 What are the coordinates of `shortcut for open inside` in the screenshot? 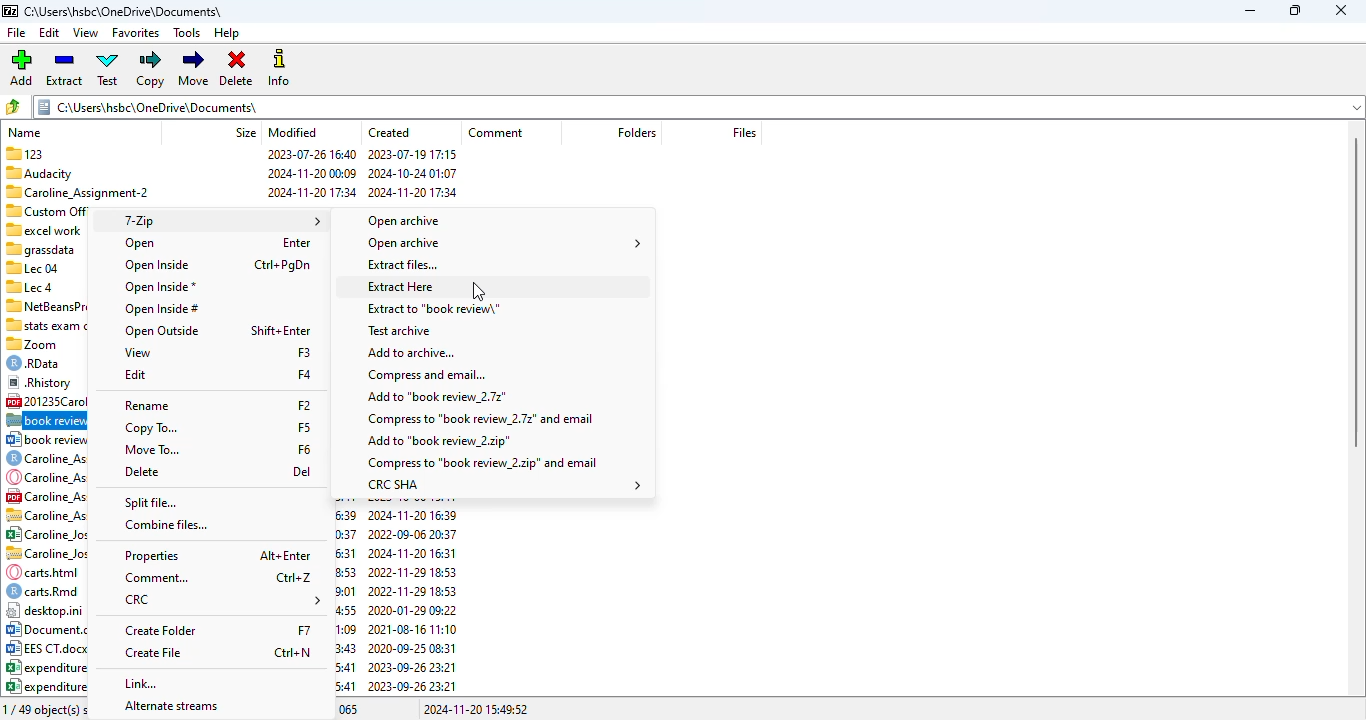 It's located at (282, 265).